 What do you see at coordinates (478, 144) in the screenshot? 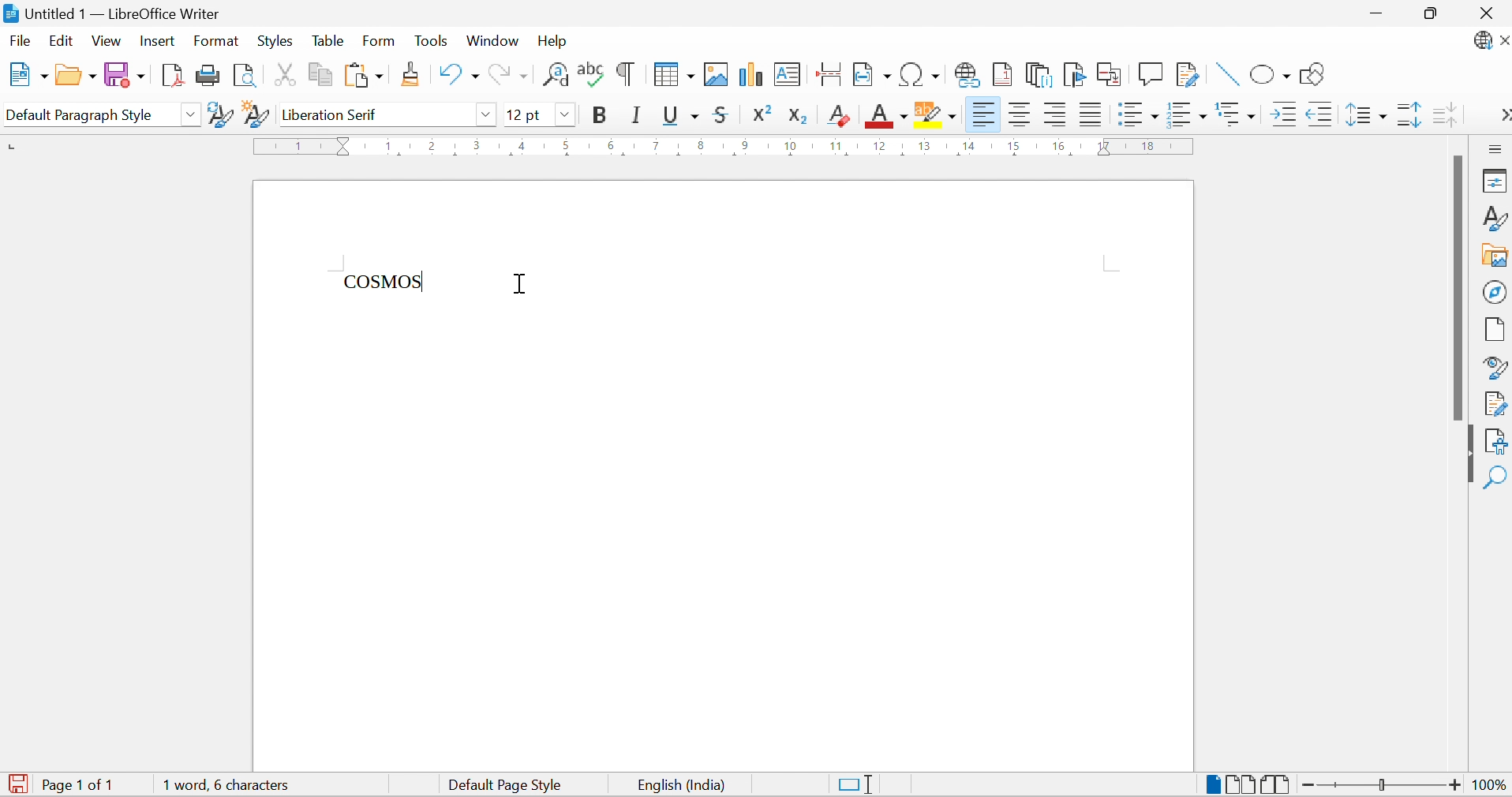
I see `3` at bounding box center [478, 144].